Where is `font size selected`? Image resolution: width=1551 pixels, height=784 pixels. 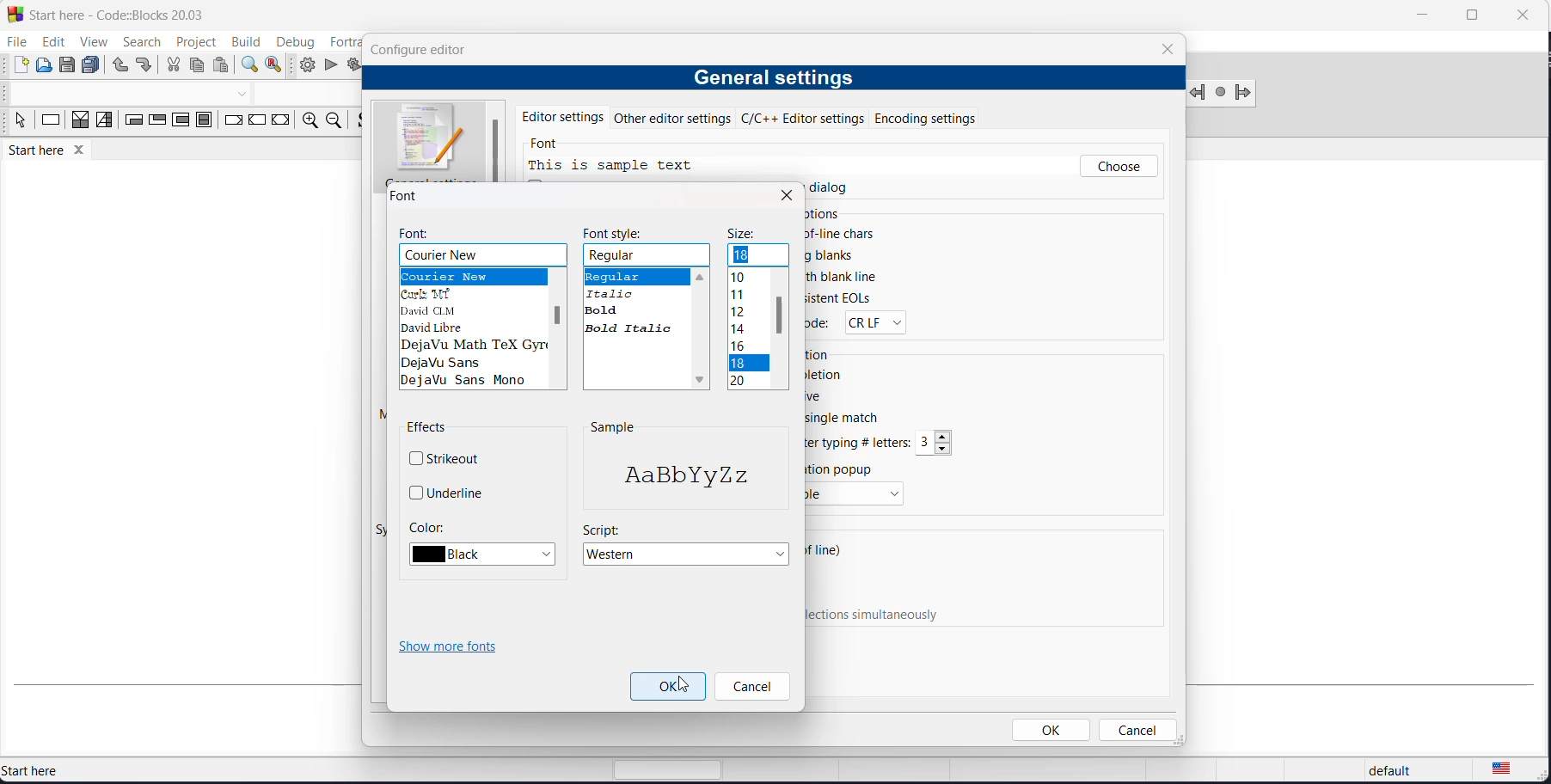 font size selected is located at coordinates (744, 254).